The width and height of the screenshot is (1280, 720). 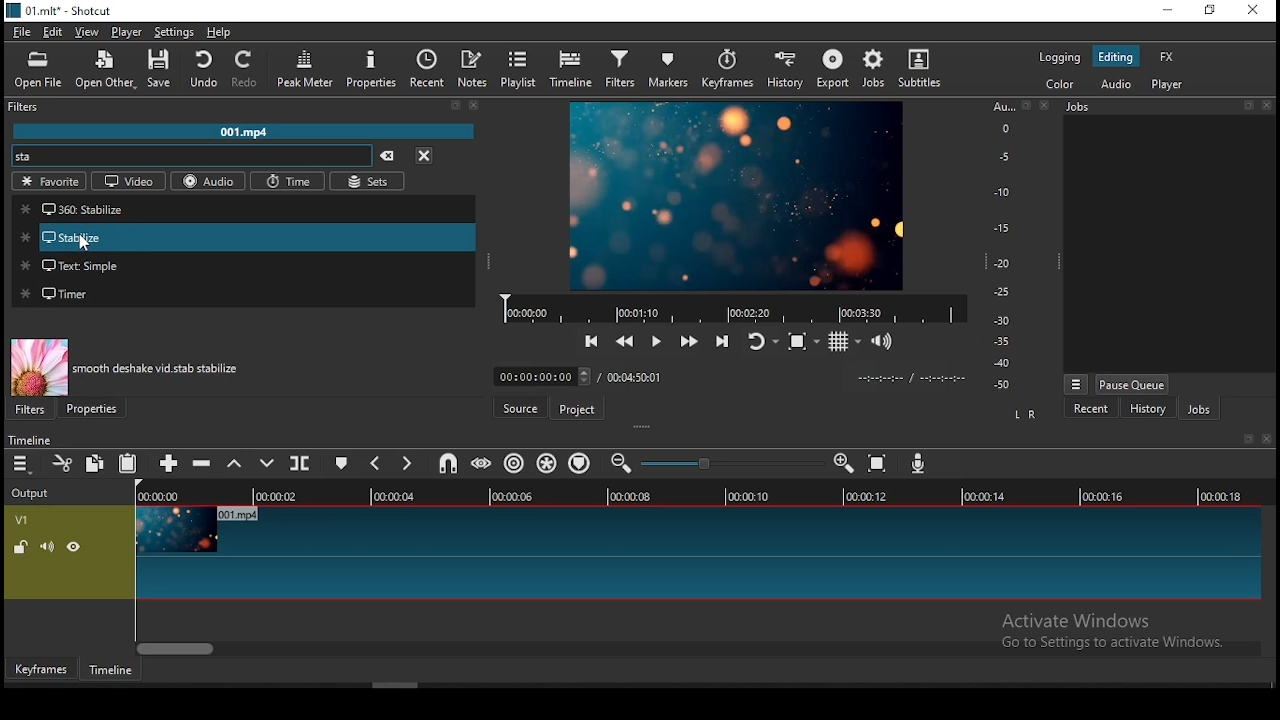 I want to click on skip to the next point, so click(x=719, y=338).